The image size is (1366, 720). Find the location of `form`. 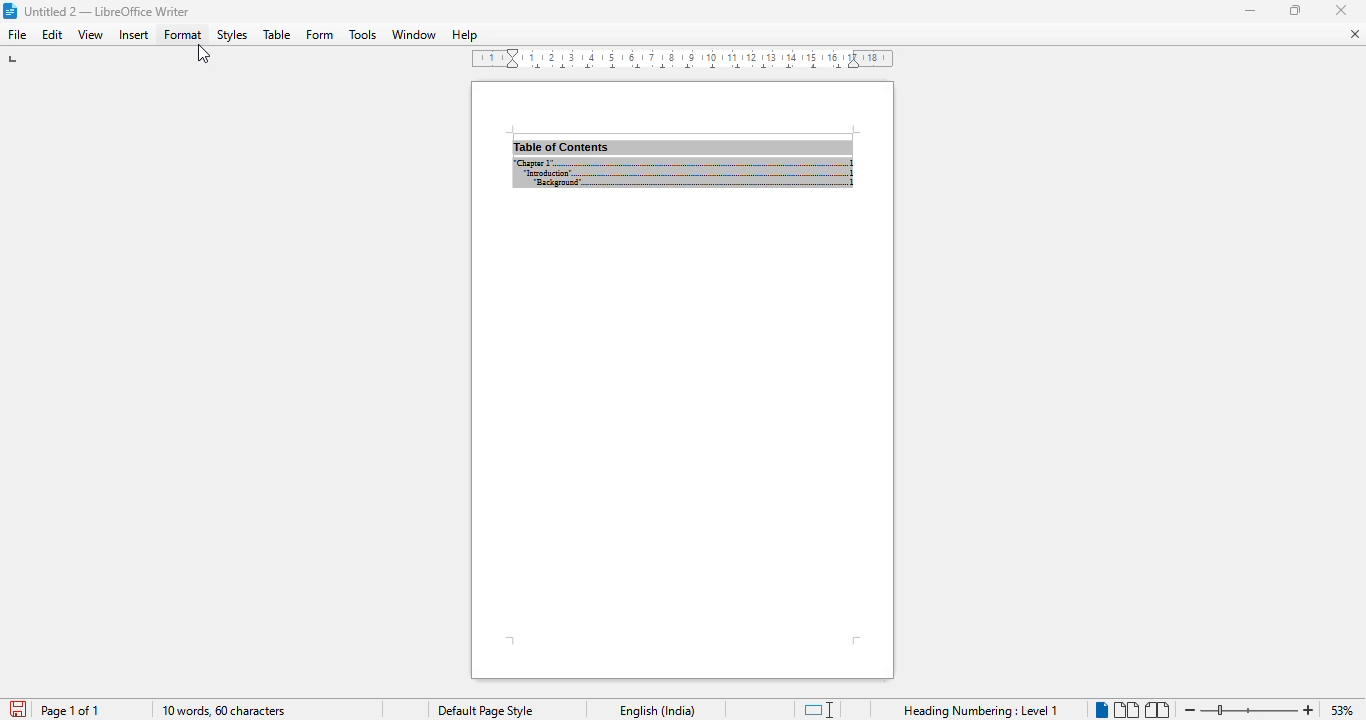

form is located at coordinates (319, 35).